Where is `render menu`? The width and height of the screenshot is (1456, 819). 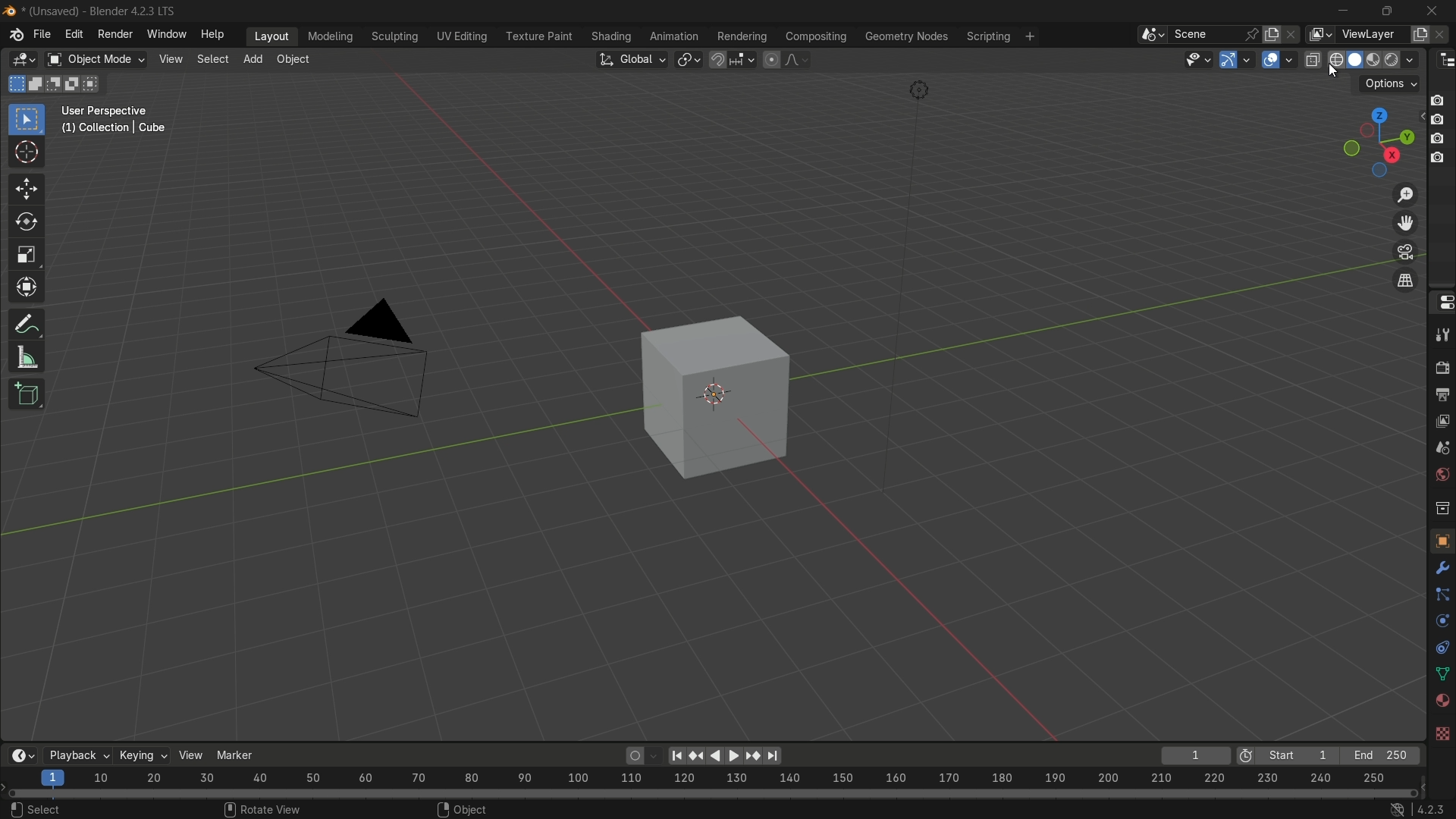 render menu is located at coordinates (116, 33).